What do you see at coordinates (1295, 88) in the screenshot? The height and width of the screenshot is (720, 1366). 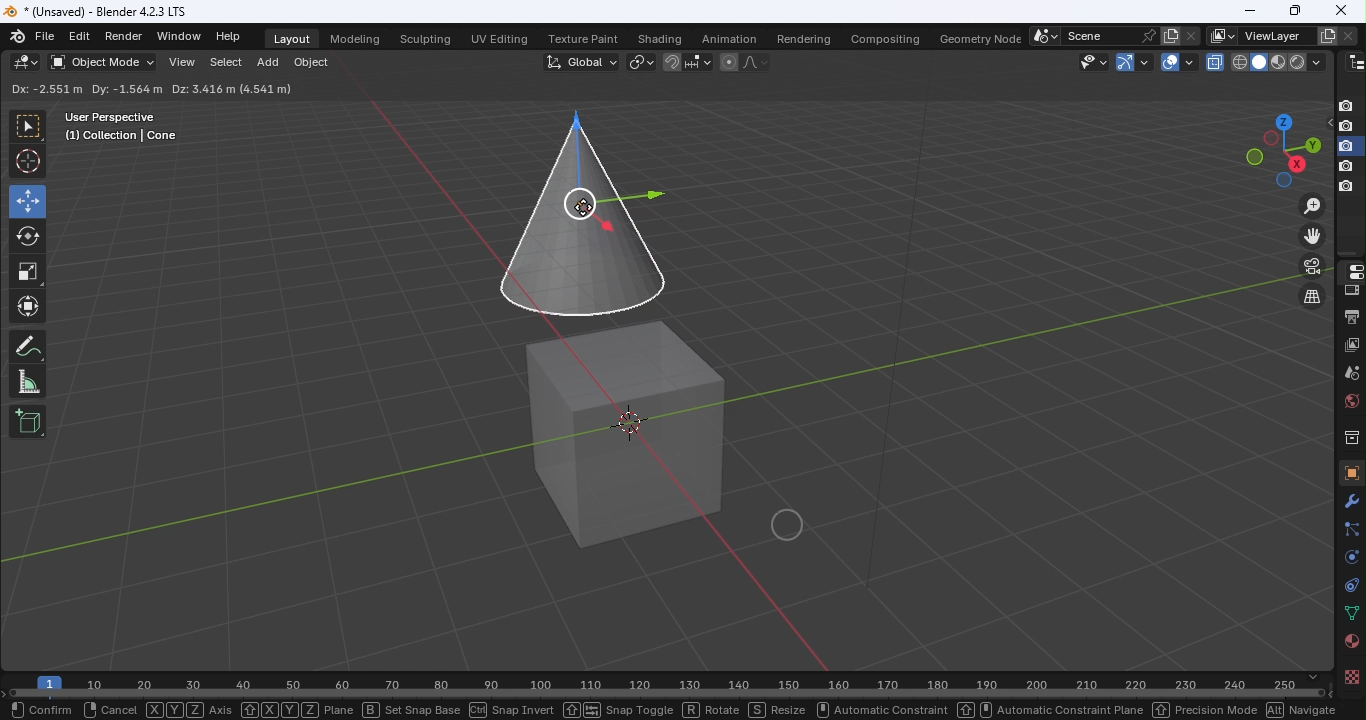 I see `Drop down menu` at bounding box center [1295, 88].